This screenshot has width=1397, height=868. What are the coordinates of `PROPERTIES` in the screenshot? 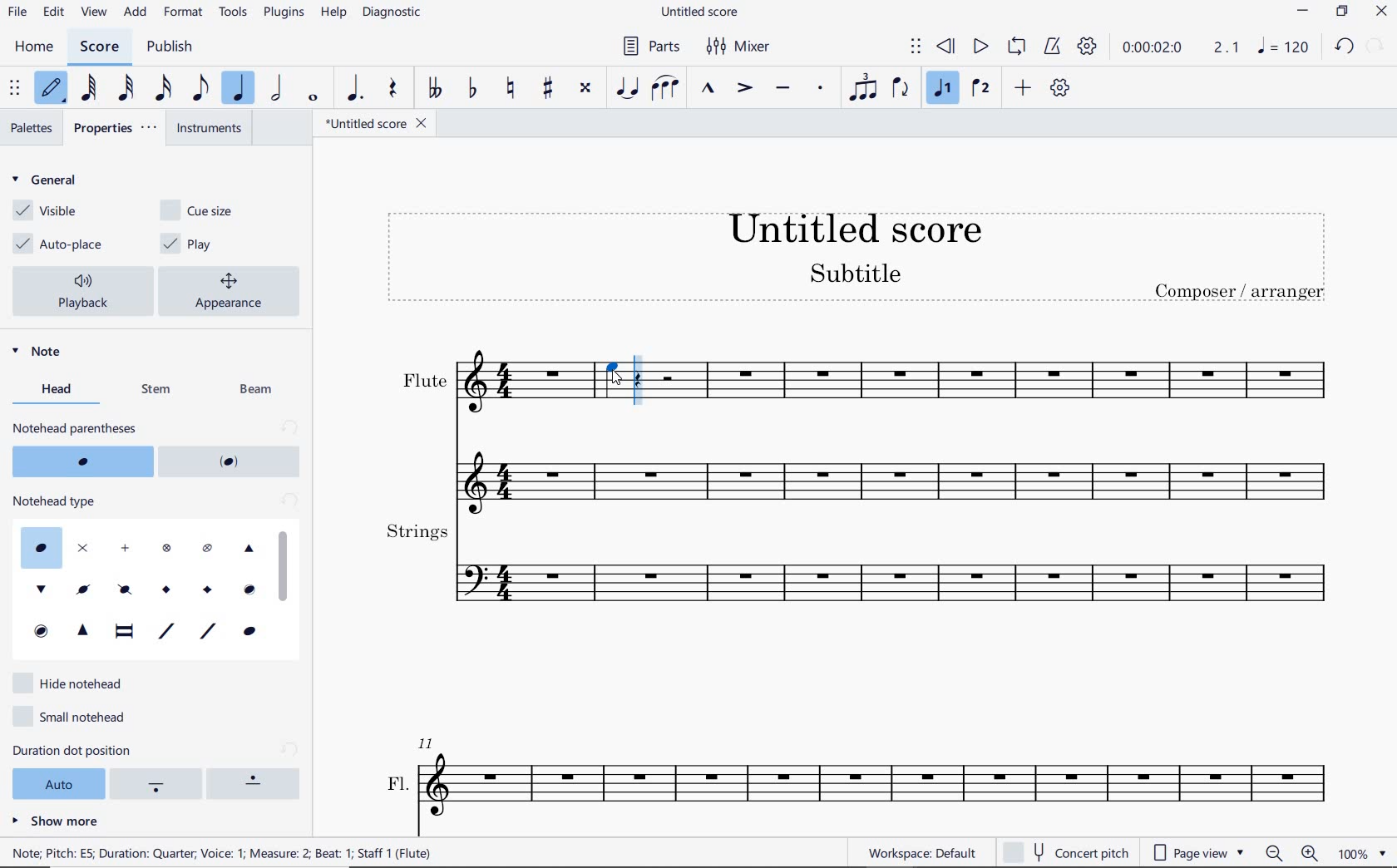 It's located at (121, 129).